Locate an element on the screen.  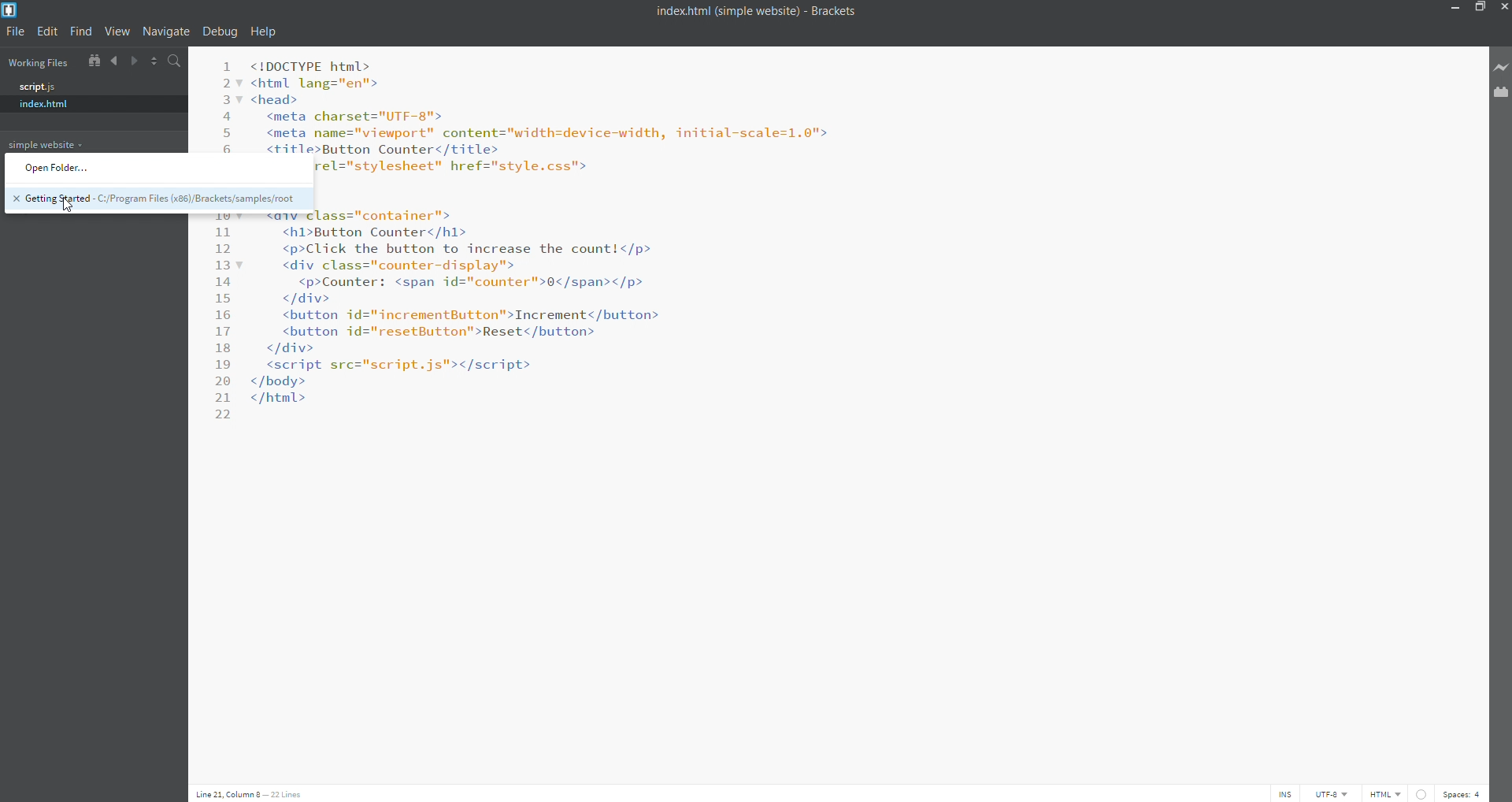
Getting Started - C:/Program Files (x86)/Brackets/samples/root is located at coordinates (155, 201).